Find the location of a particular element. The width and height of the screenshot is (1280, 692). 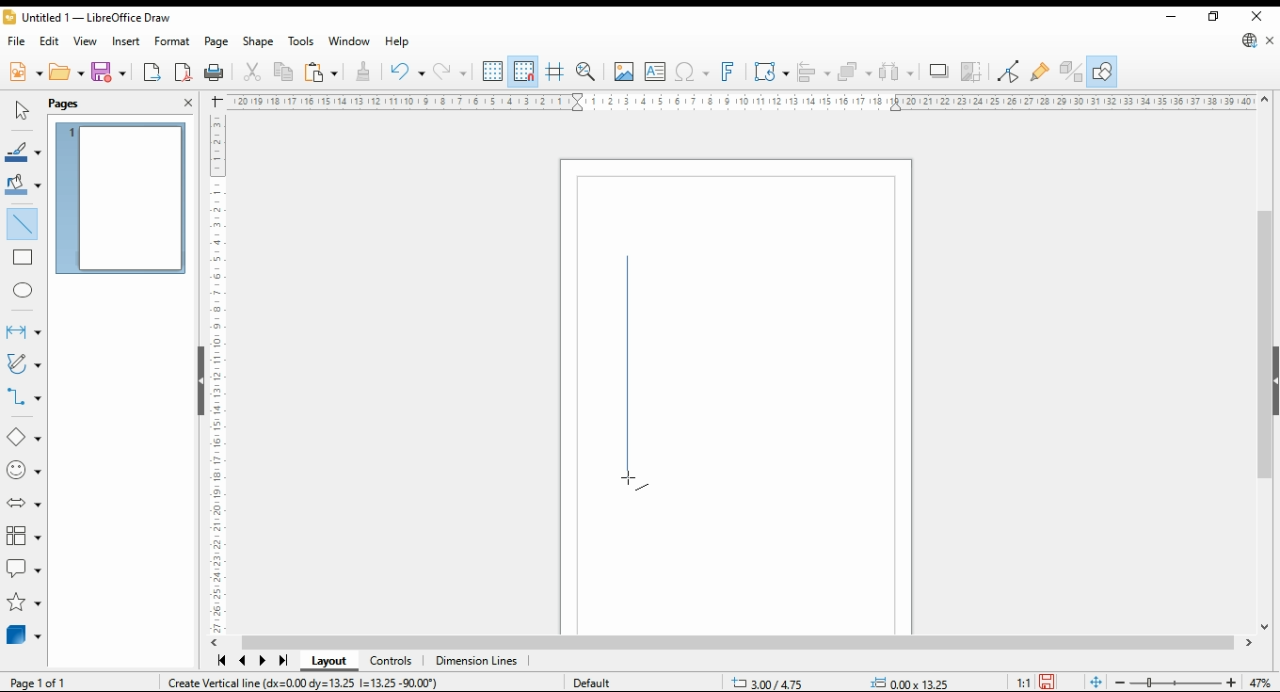

close document is located at coordinates (1270, 41).